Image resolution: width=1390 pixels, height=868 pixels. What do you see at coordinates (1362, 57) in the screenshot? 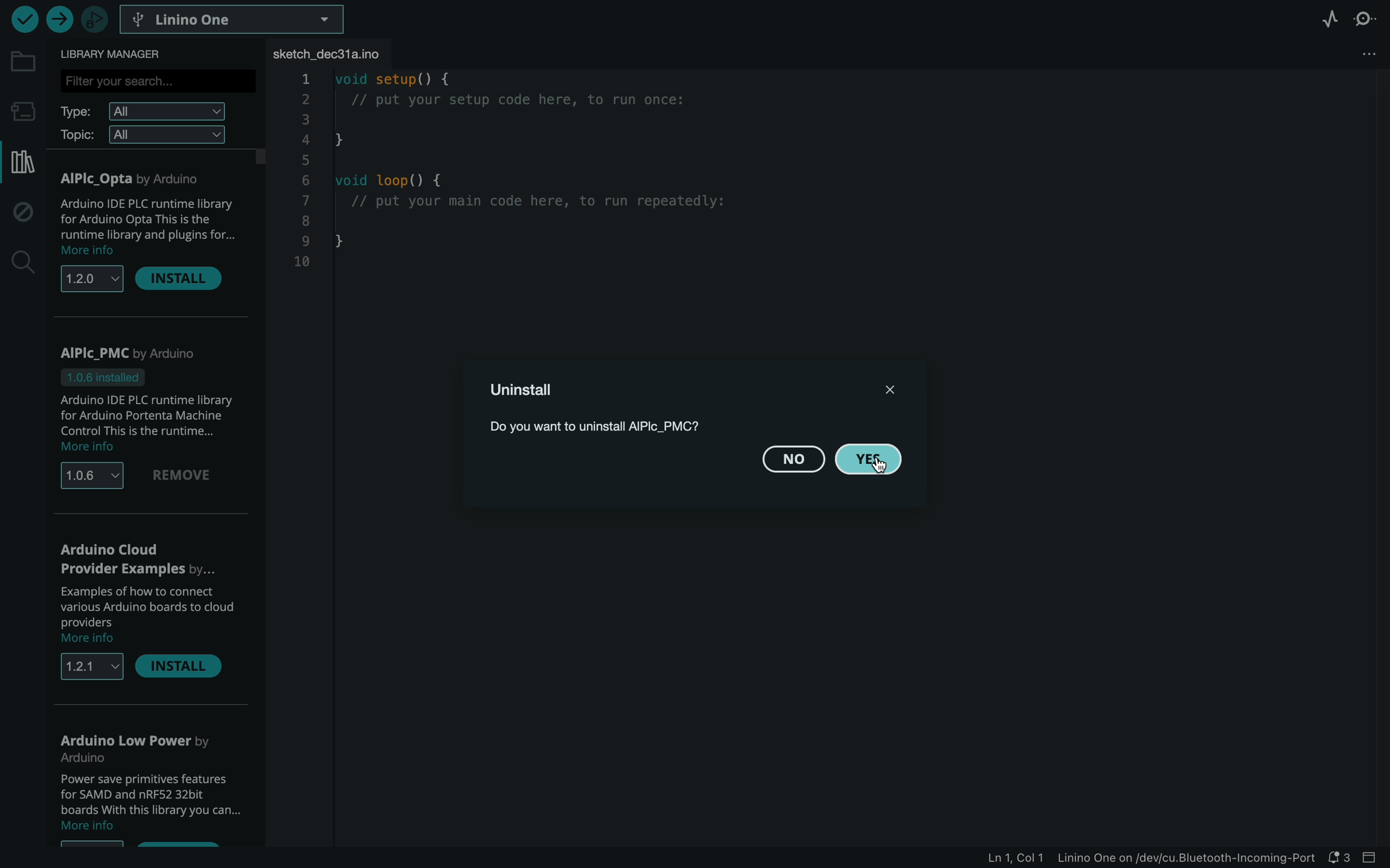
I see `file setting` at bounding box center [1362, 57].